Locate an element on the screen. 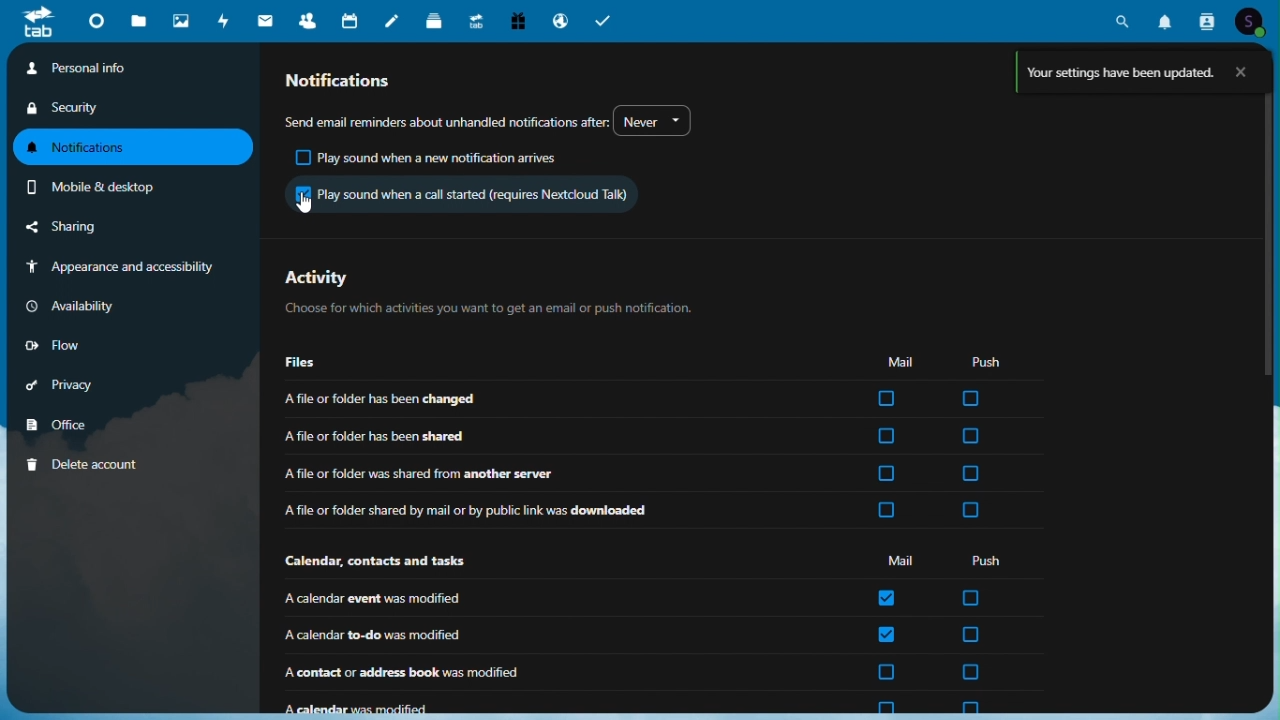  Low is located at coordinates (70, 342).